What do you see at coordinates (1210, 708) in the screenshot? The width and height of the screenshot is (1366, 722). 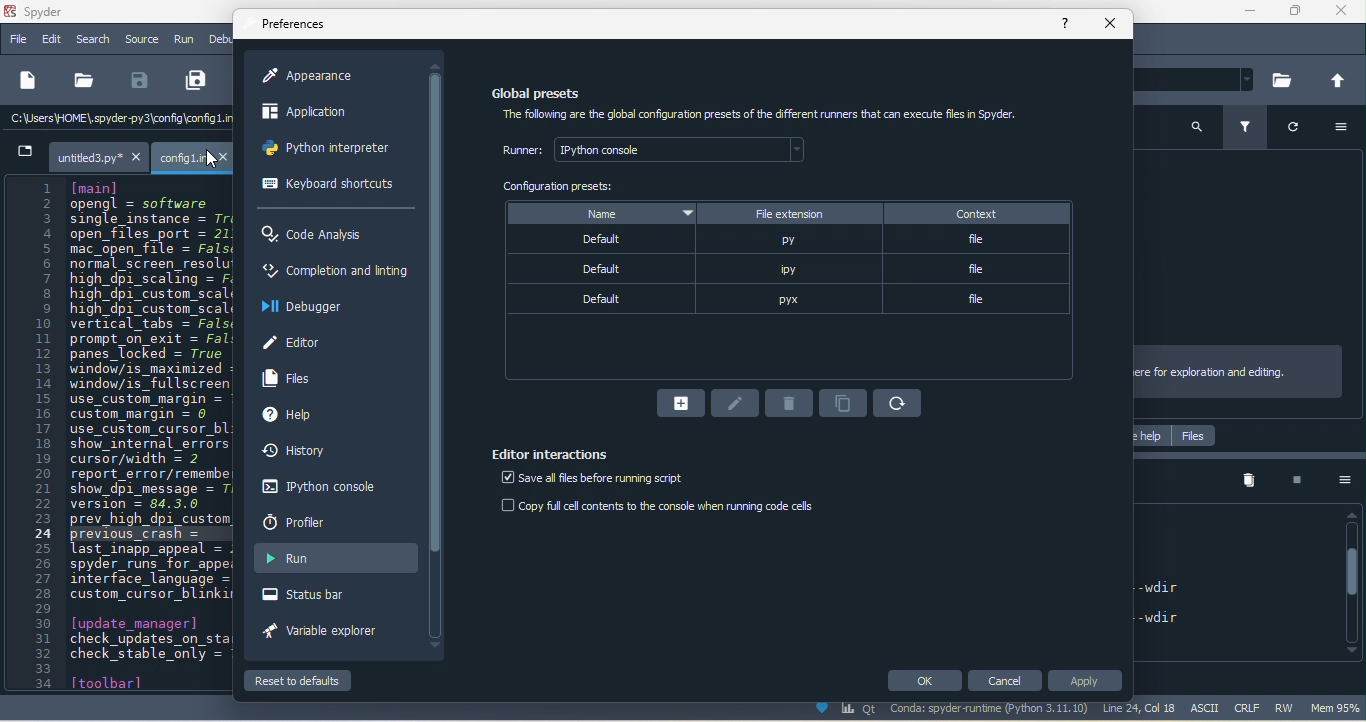 I see `ascii` at bounding box center [1210, 708].